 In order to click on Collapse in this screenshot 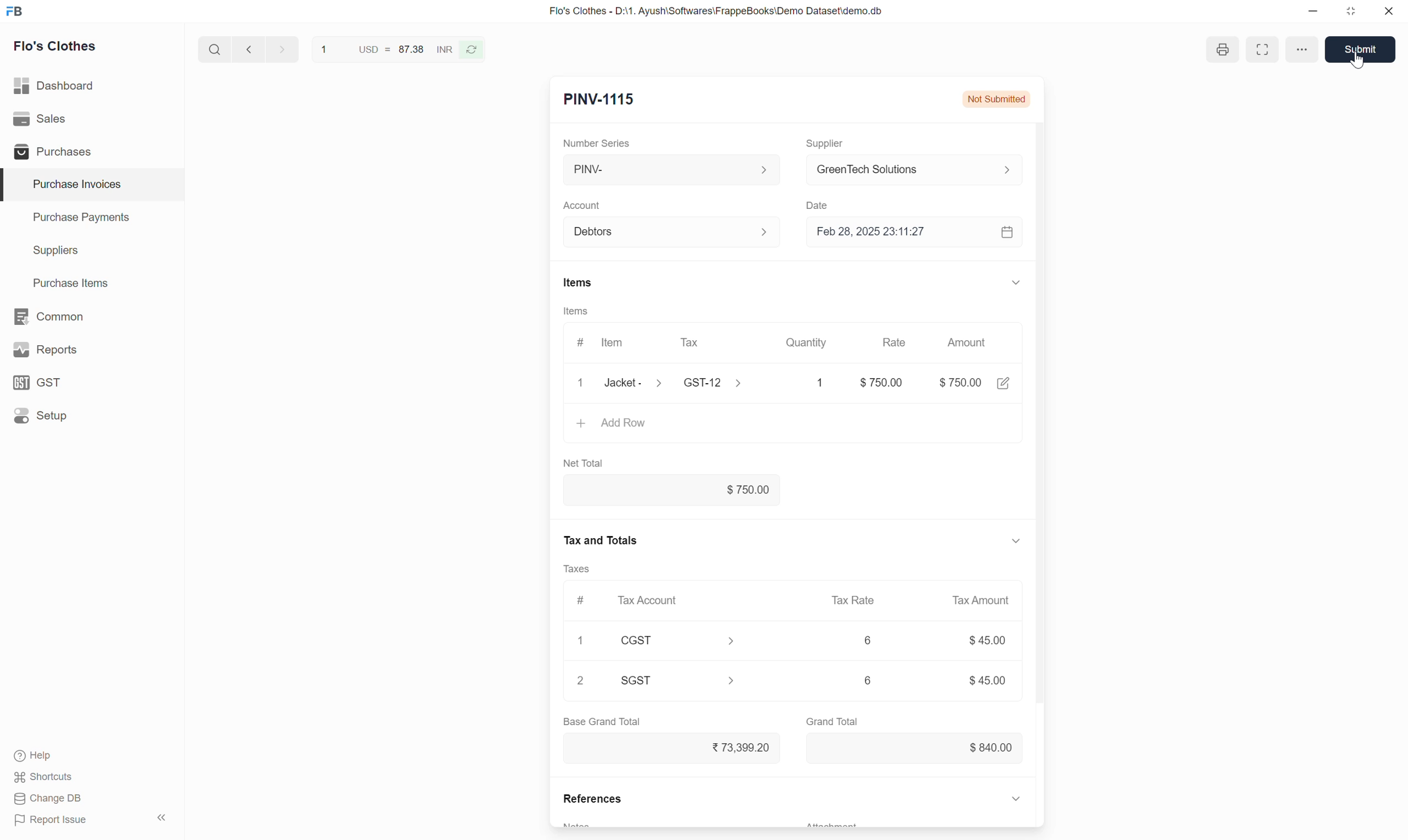, I will do `click(162, 817)`.